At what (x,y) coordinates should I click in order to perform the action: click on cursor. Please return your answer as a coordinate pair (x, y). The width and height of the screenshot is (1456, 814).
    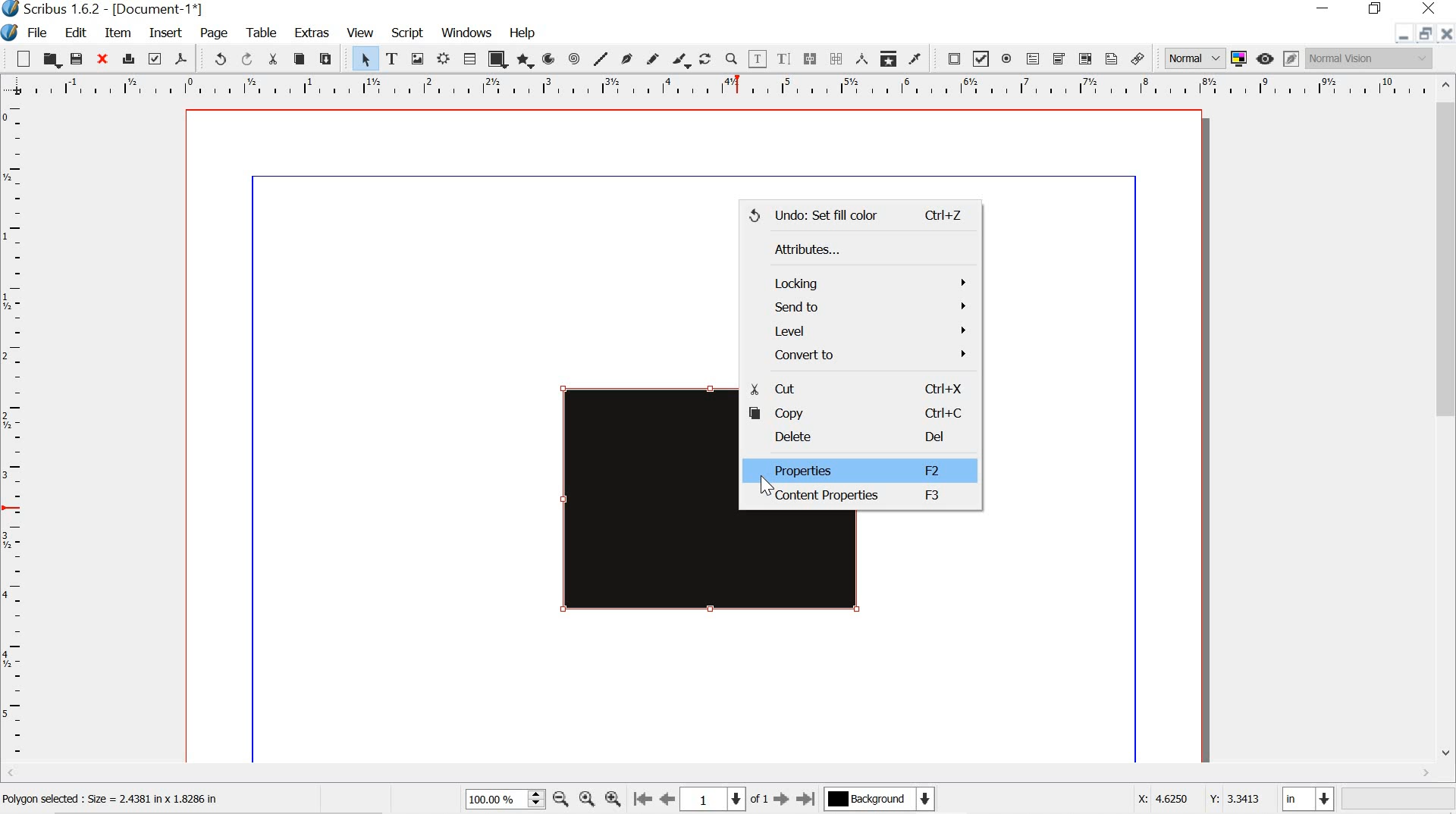
    Looking at the image, I should click on (762, 484).